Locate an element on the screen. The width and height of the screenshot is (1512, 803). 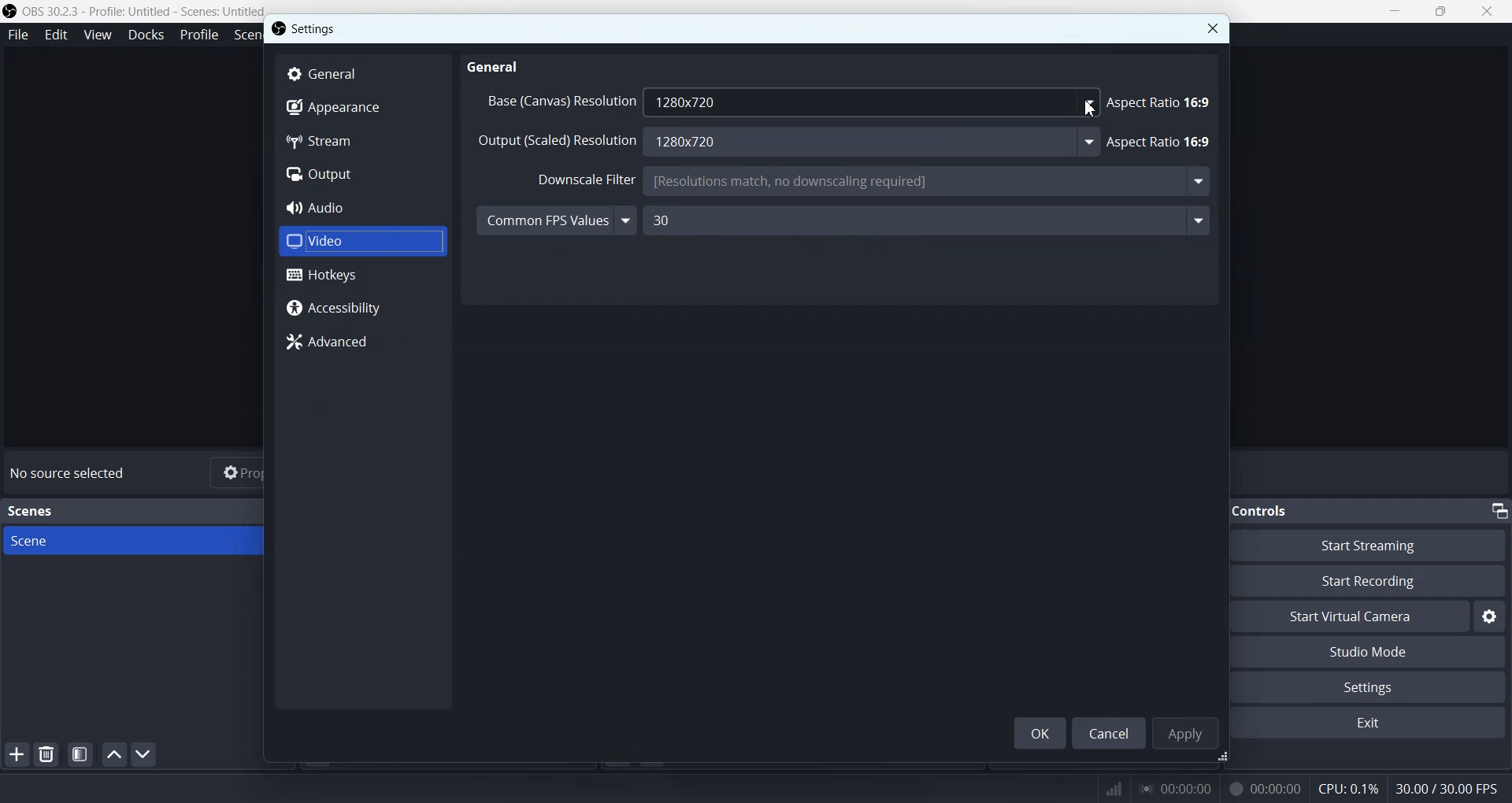
Output (Scaled) Resolution is located at coordinates (868, 143).